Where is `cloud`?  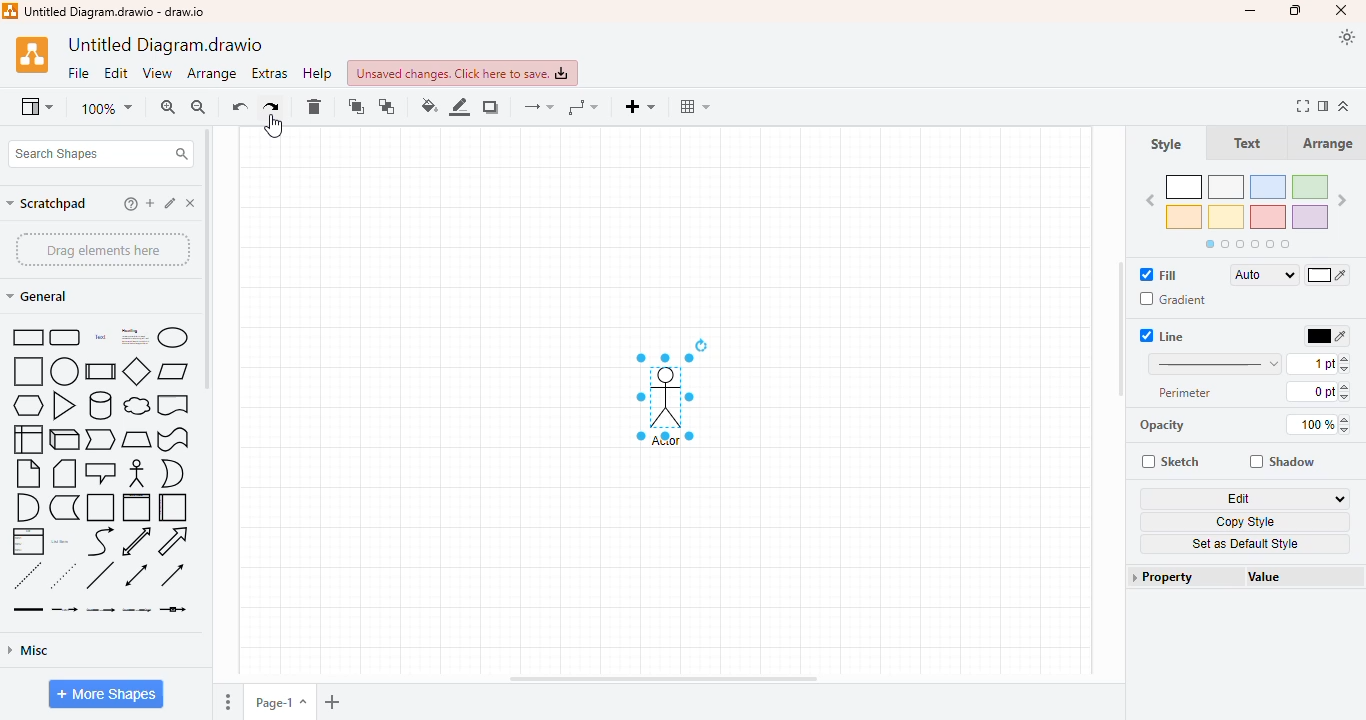 cloud is located at coordinates (136, 406).